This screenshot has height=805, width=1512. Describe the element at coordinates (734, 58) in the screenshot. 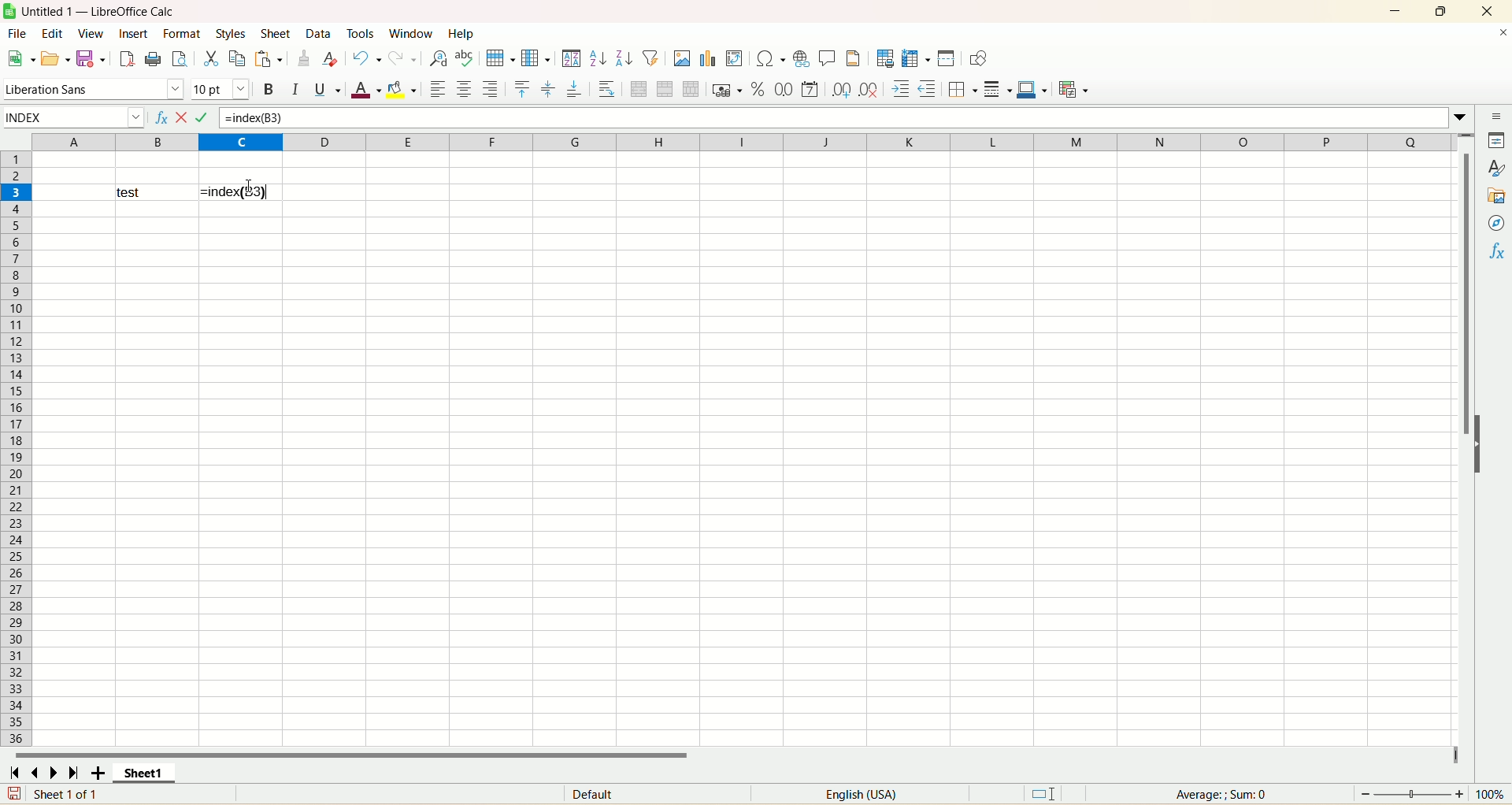

I see `pivot table` at that location.